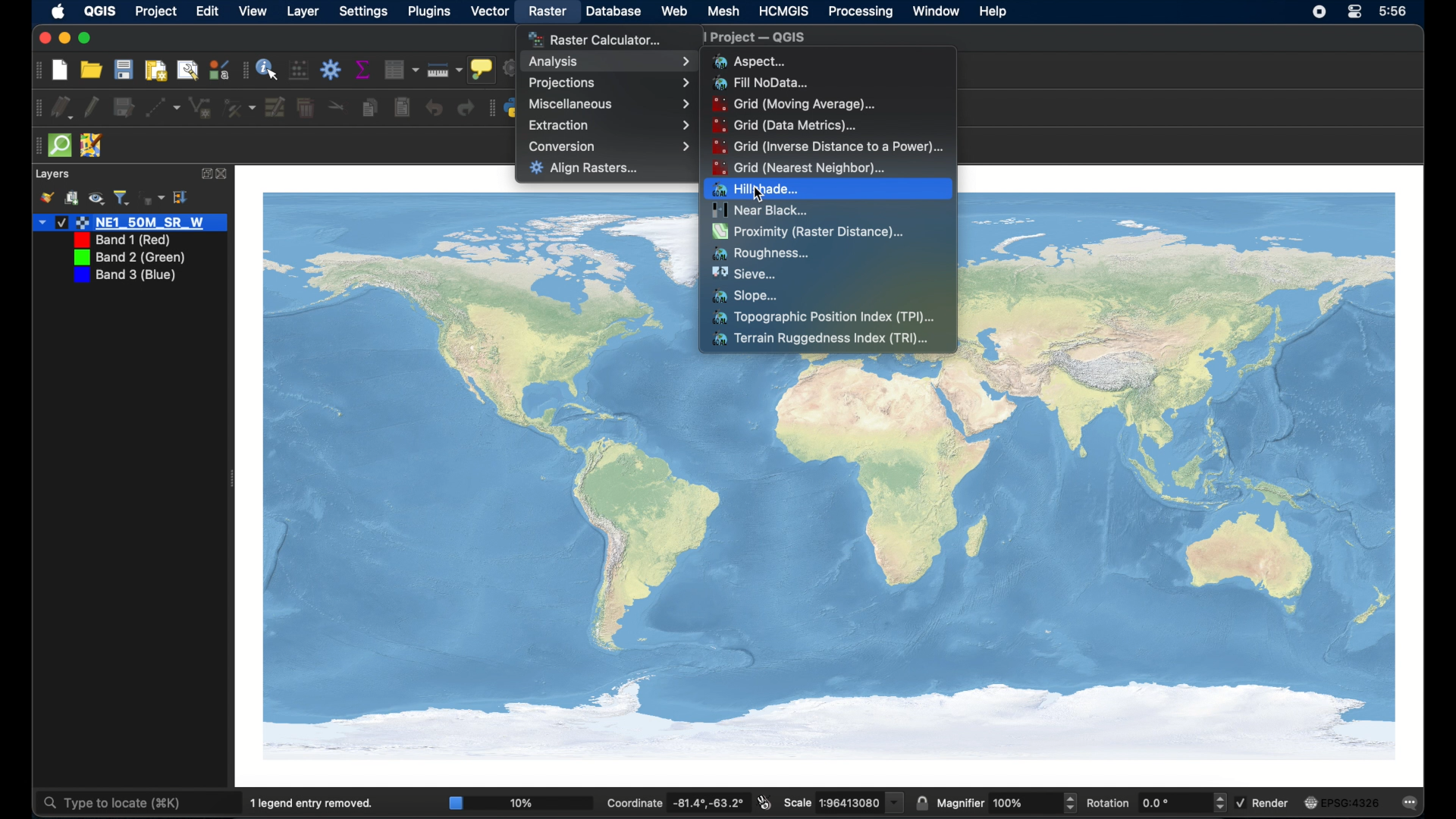  Describe the element at coordinates (314, 802) in the screenshot. I see `1 legend entry removed.` at that location.